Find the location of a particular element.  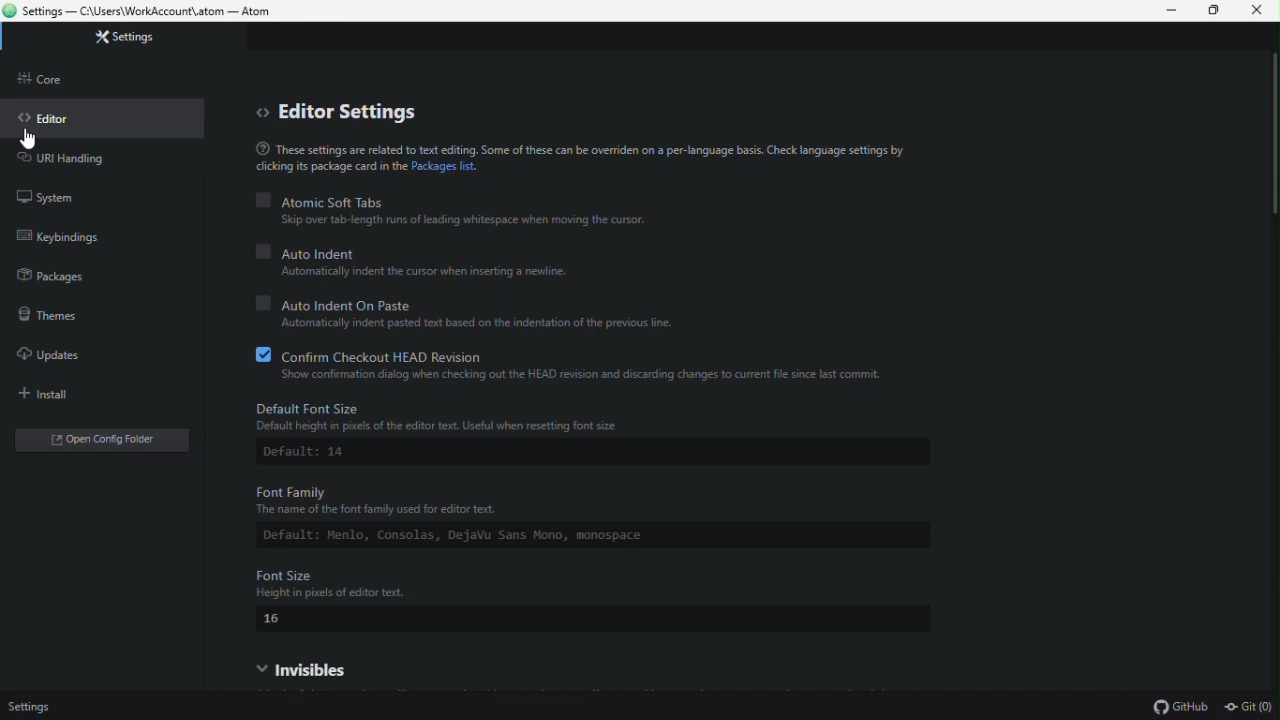

Install is located at coordinates (71, 394).